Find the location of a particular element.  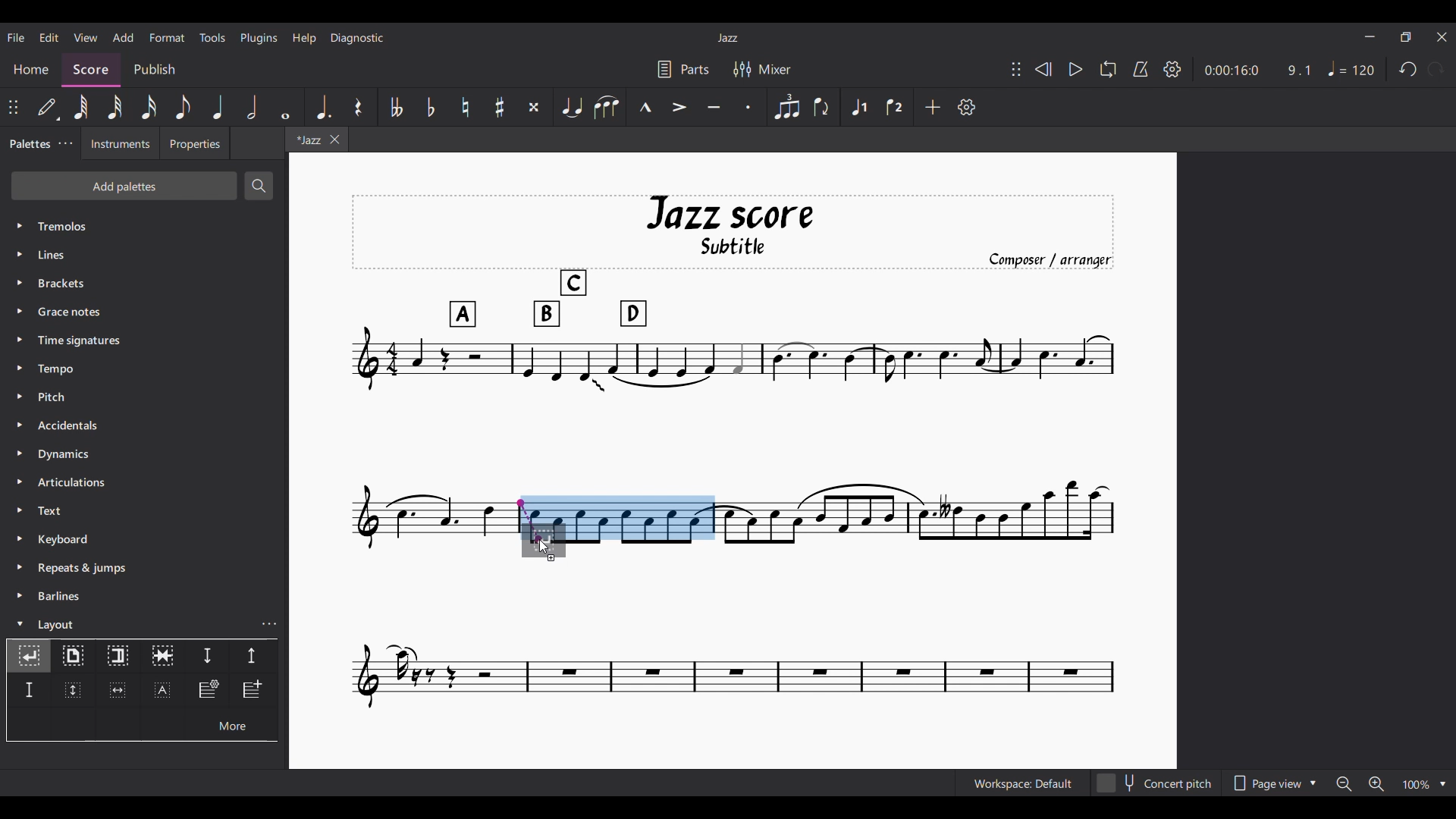

Palette settings is located at coordinates (65, 143).